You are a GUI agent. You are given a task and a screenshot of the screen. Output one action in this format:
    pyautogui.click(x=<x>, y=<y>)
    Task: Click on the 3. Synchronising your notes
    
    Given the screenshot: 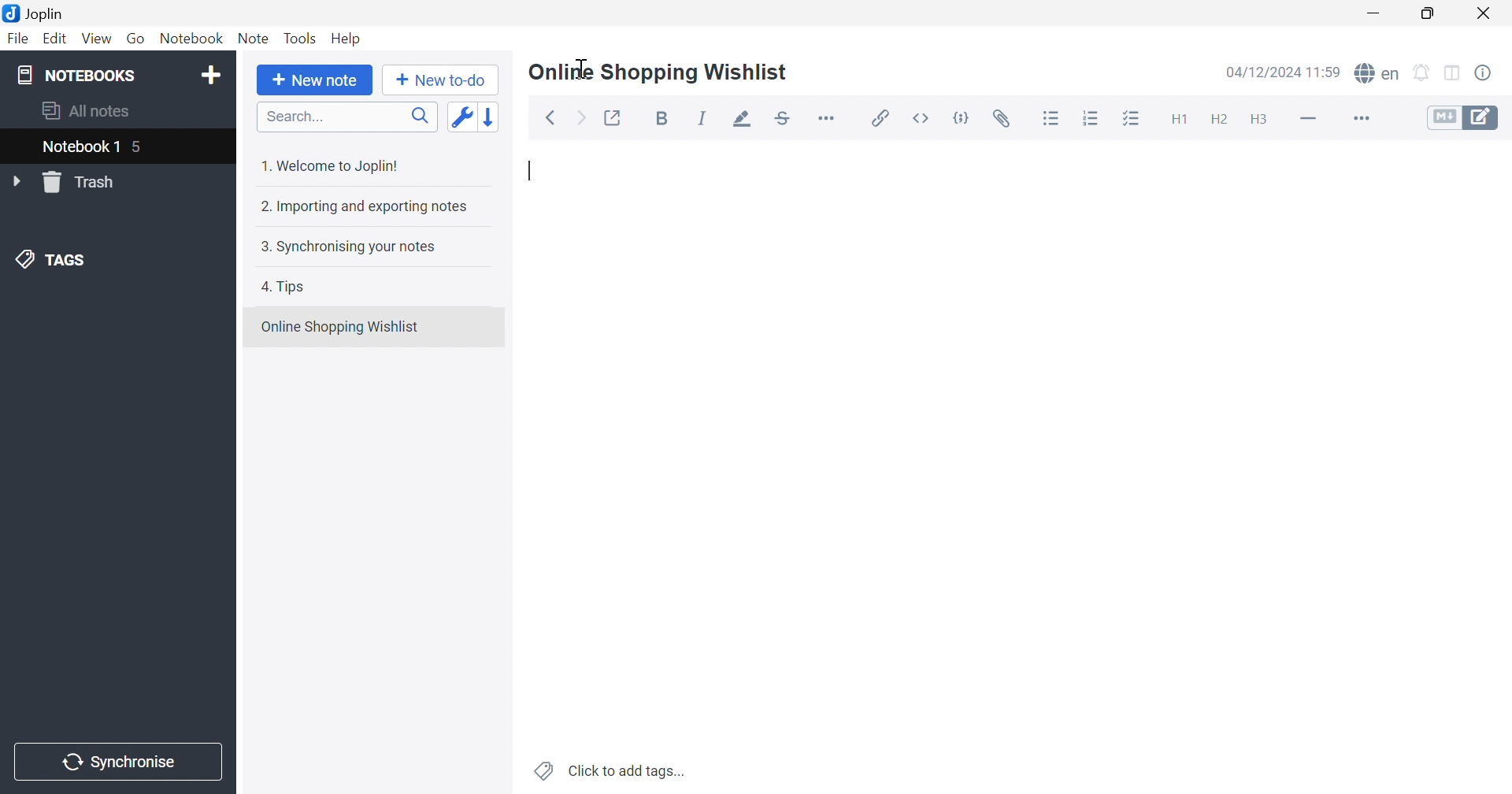 What is the action you would take?
    pyautogui.click(x=347, y=247)
    